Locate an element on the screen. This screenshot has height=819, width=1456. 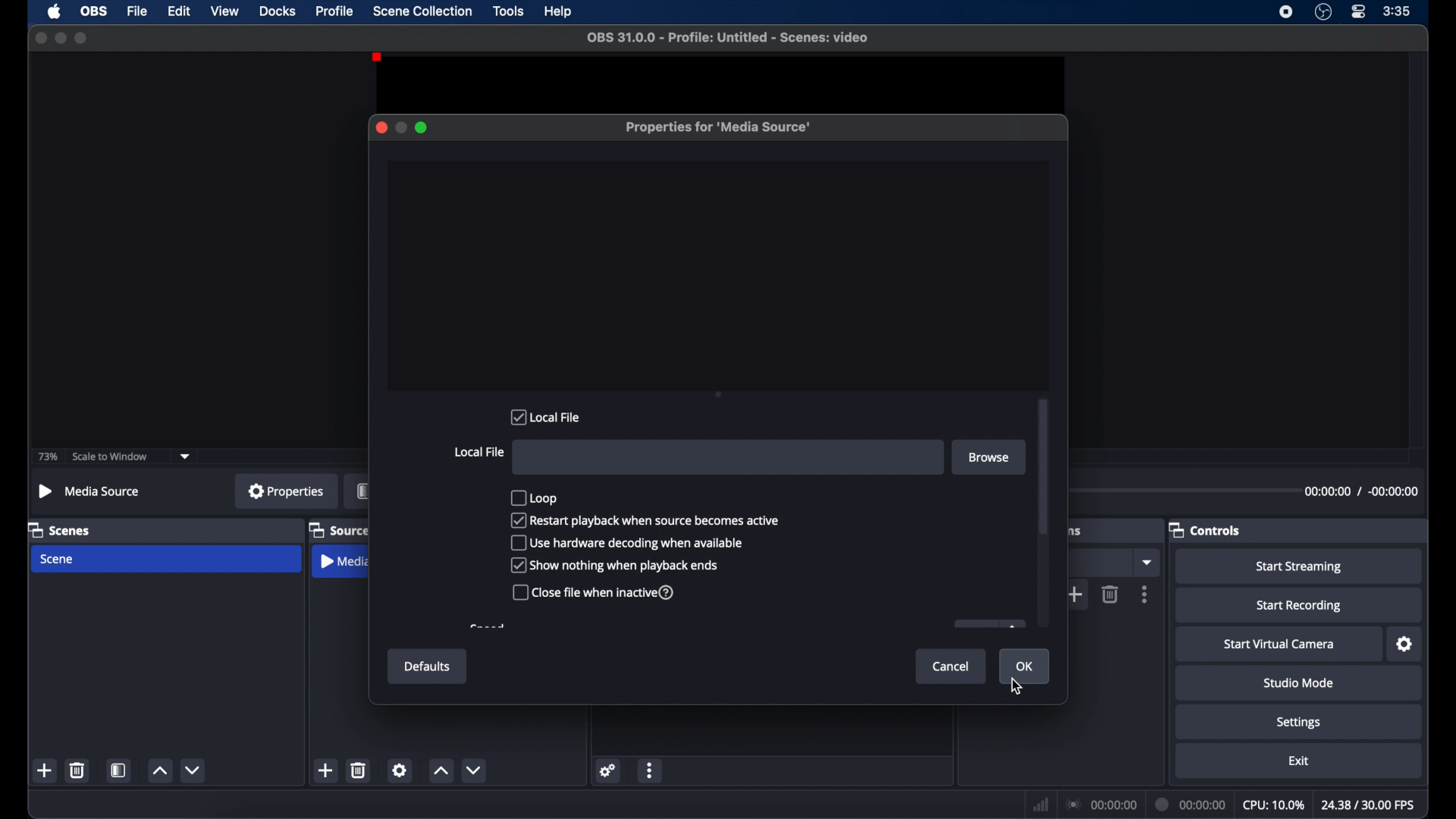
view is located at coordinates (226, 12).